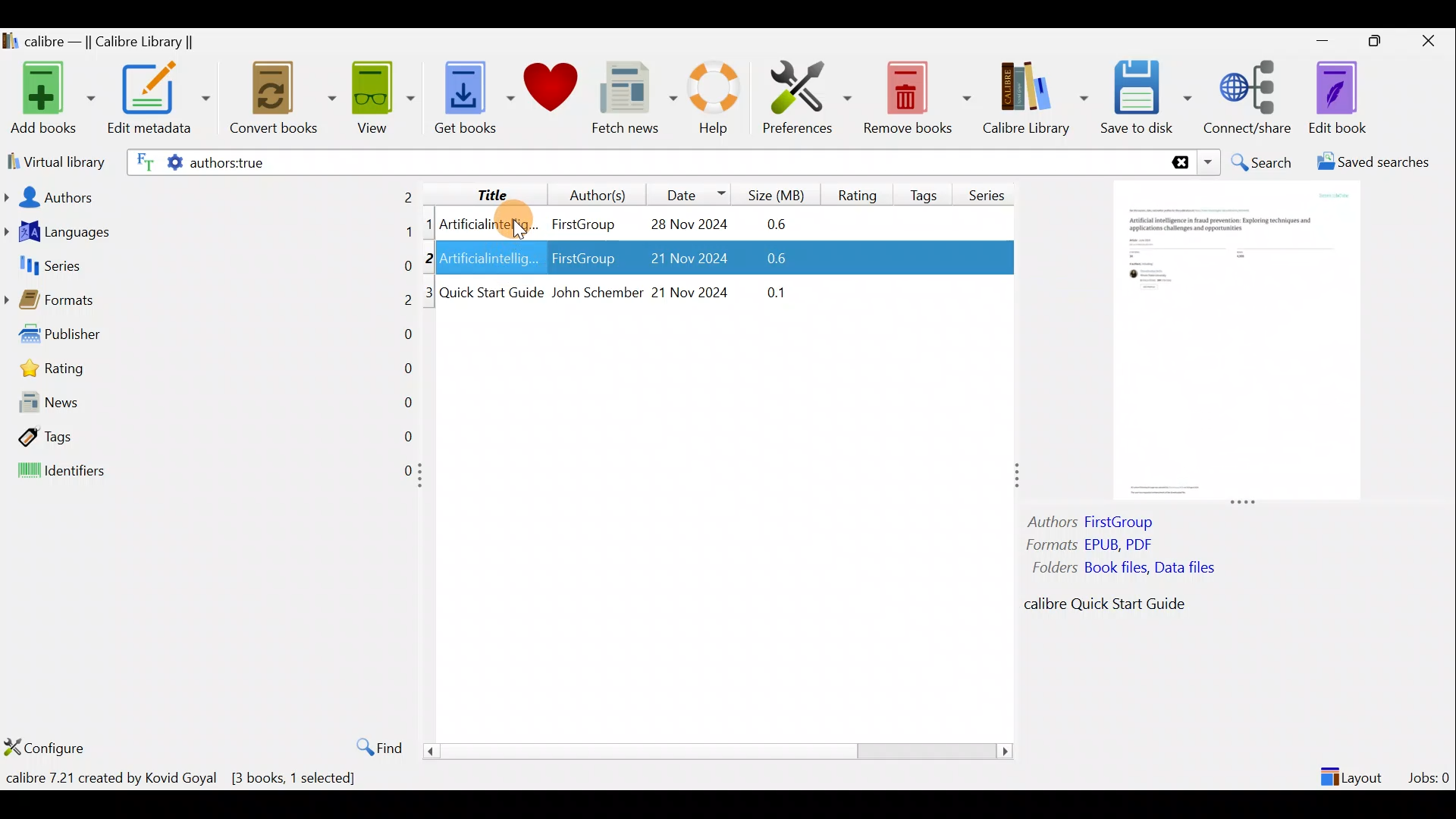 Image resolution: width=1456 pixels, height=819 pixels. I want to click on Folder: Book files, Data Files, so click(1130, 570).